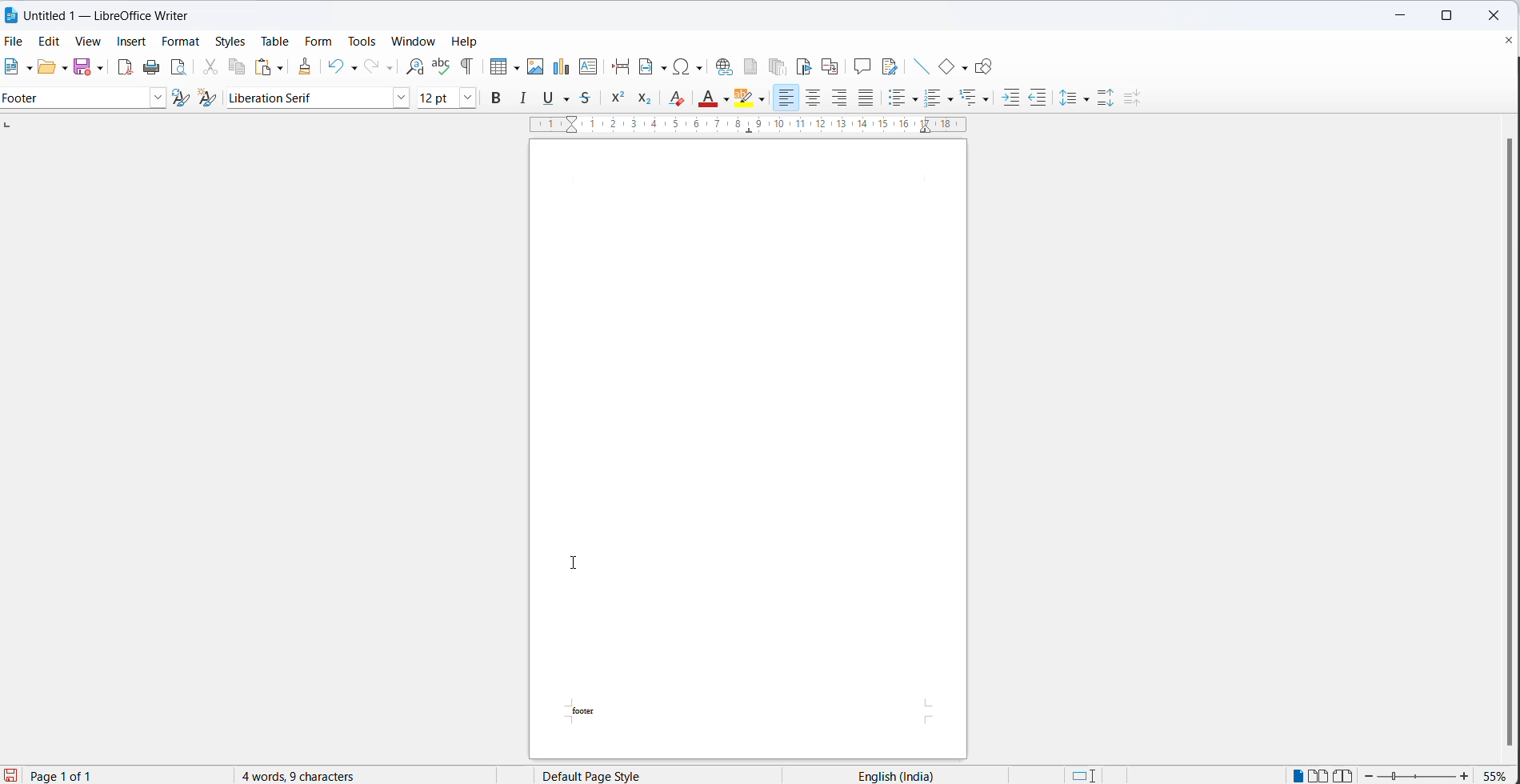 The width and height of the screenshot is (1520, 784). Describe the element at coordinates (1493, 437) in the screenshot. I see `scrollbar` at that location.